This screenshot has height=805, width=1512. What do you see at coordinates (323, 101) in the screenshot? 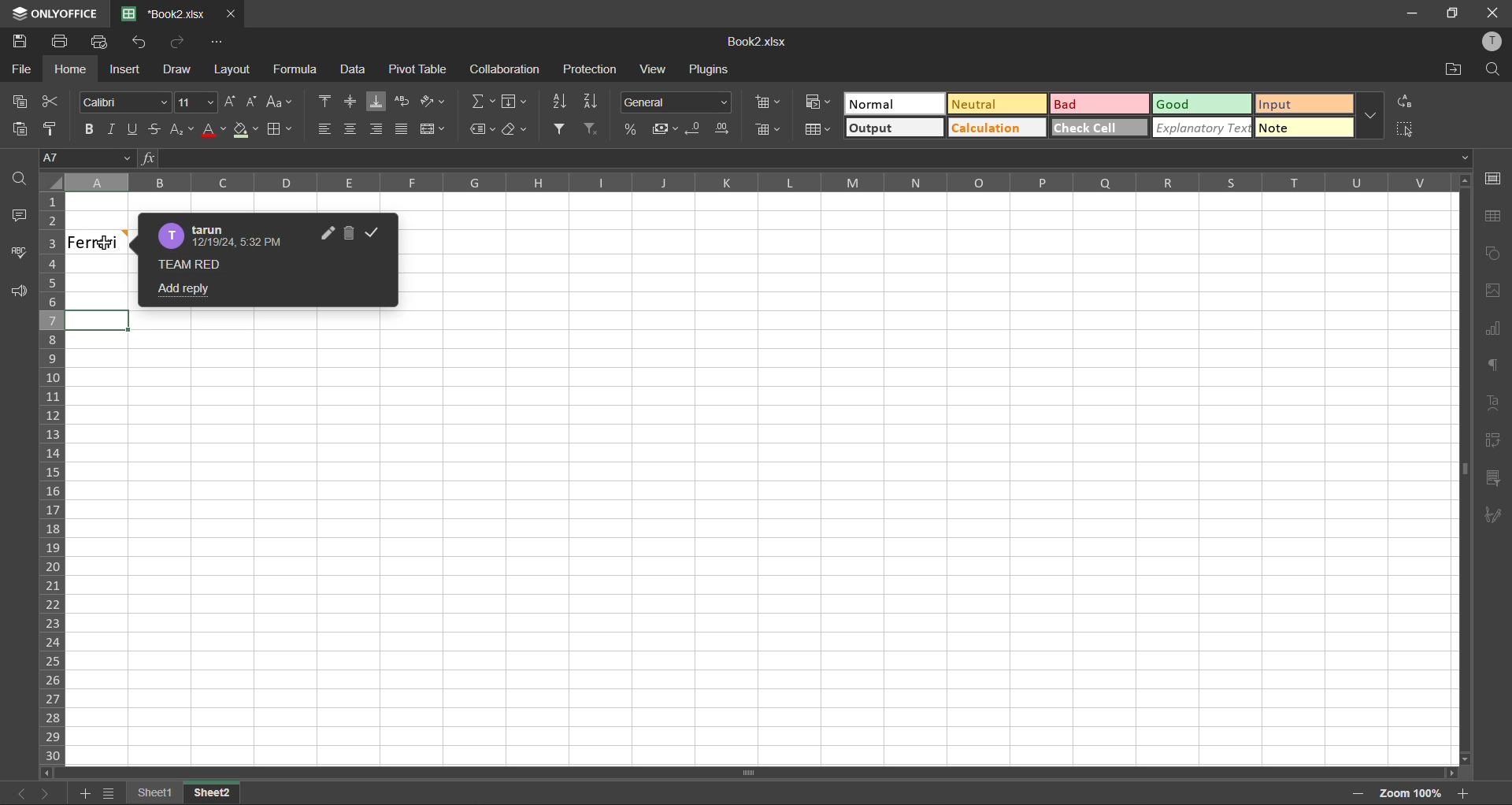
I see `align top` at bounding box center [323, 101].